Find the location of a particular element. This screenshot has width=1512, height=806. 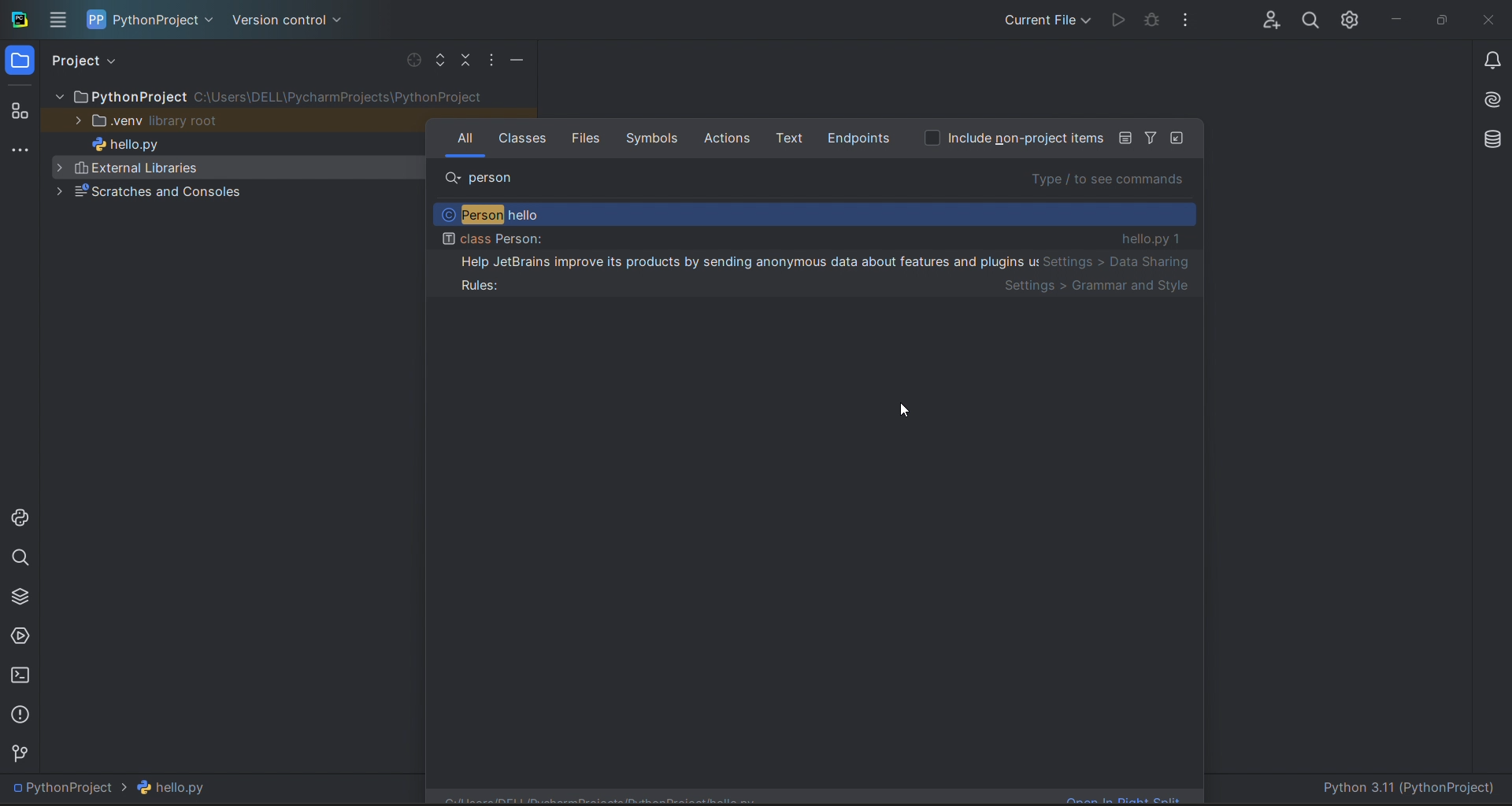

notifications is located at coordinates (1493, 60).